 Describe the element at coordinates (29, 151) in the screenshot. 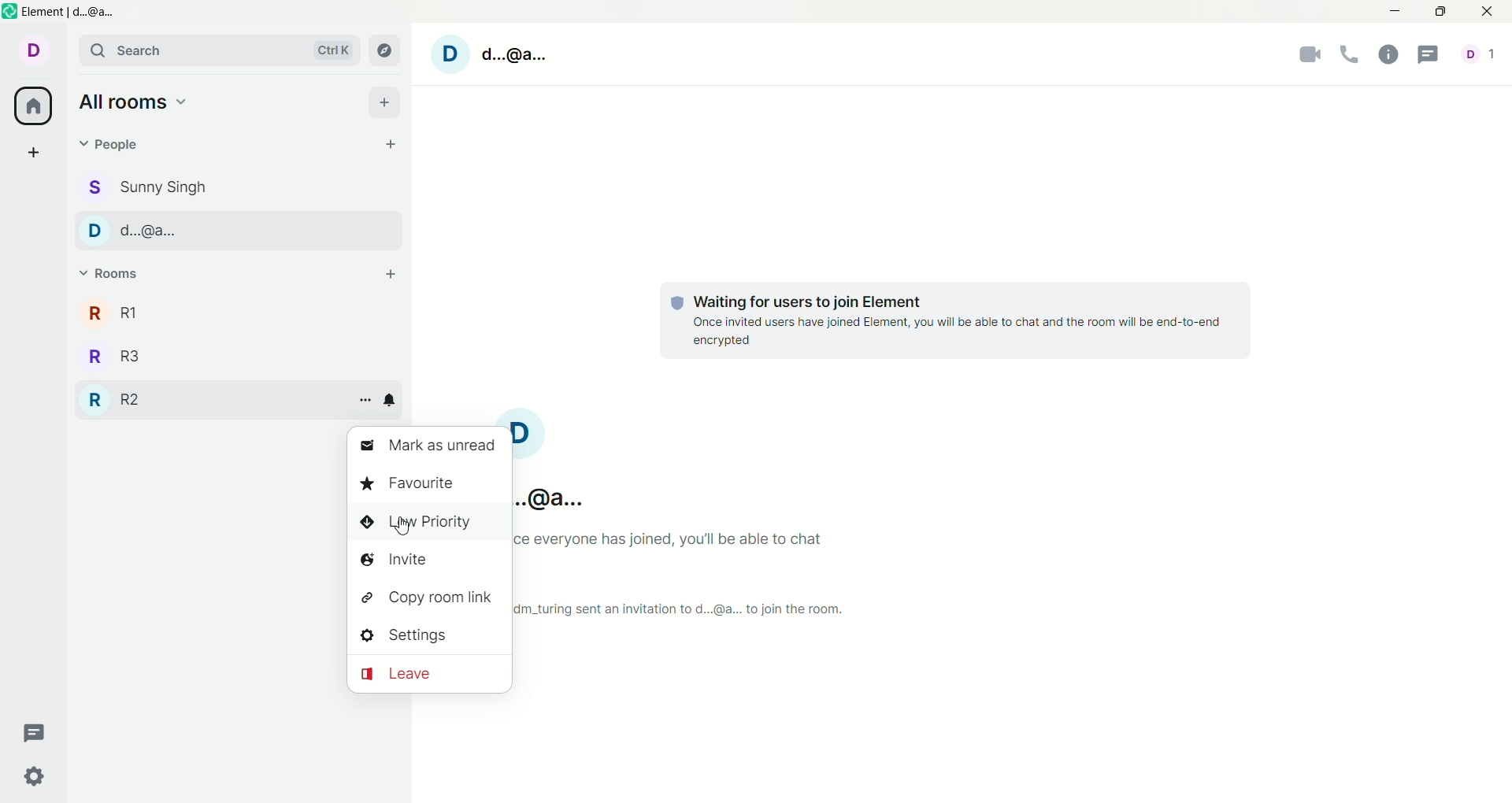

I see `create a space` at that location.